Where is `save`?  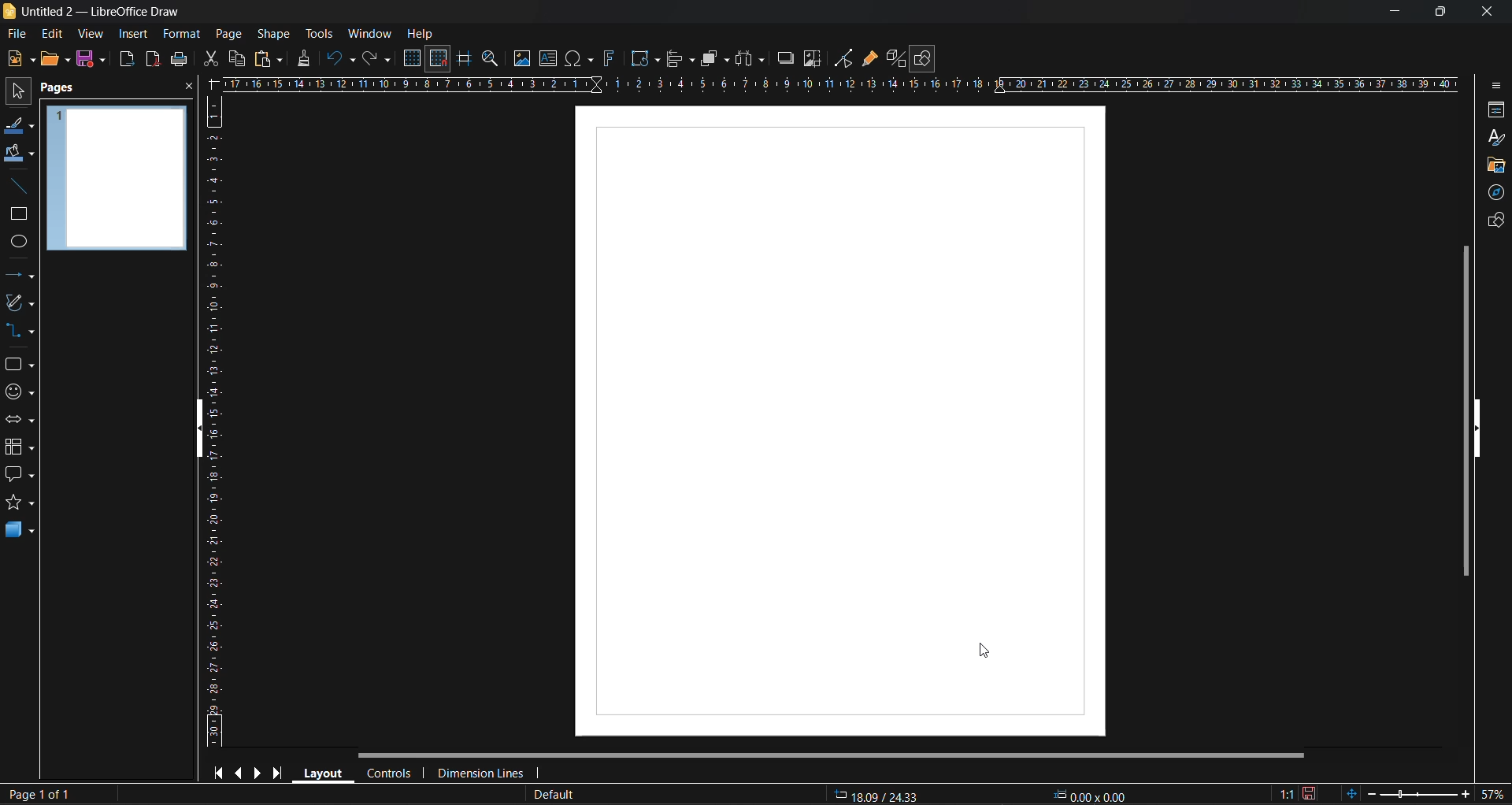 save is located at coordinates (94, 61).